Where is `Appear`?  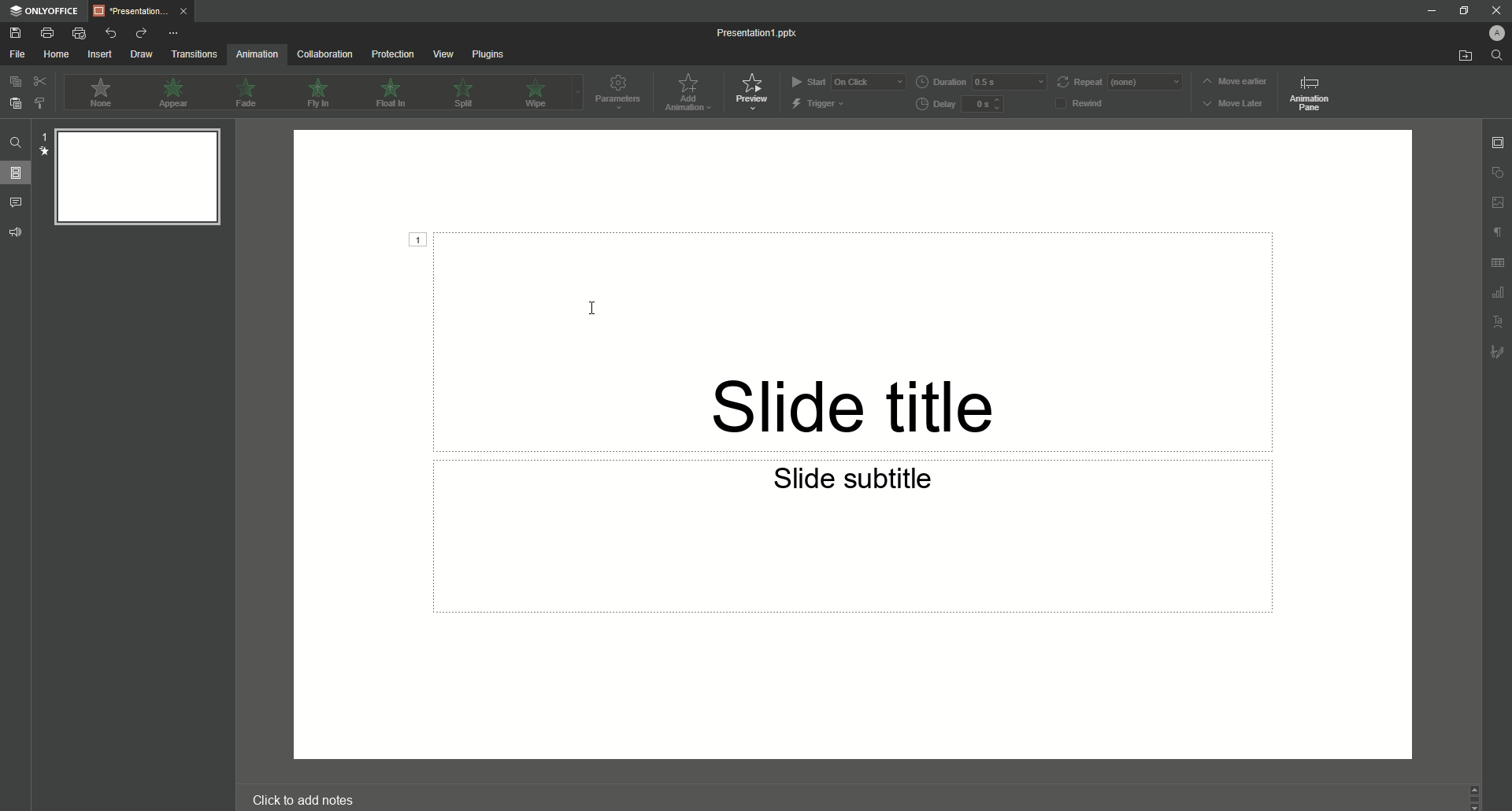
Appear is located at coordinates (175, 94).